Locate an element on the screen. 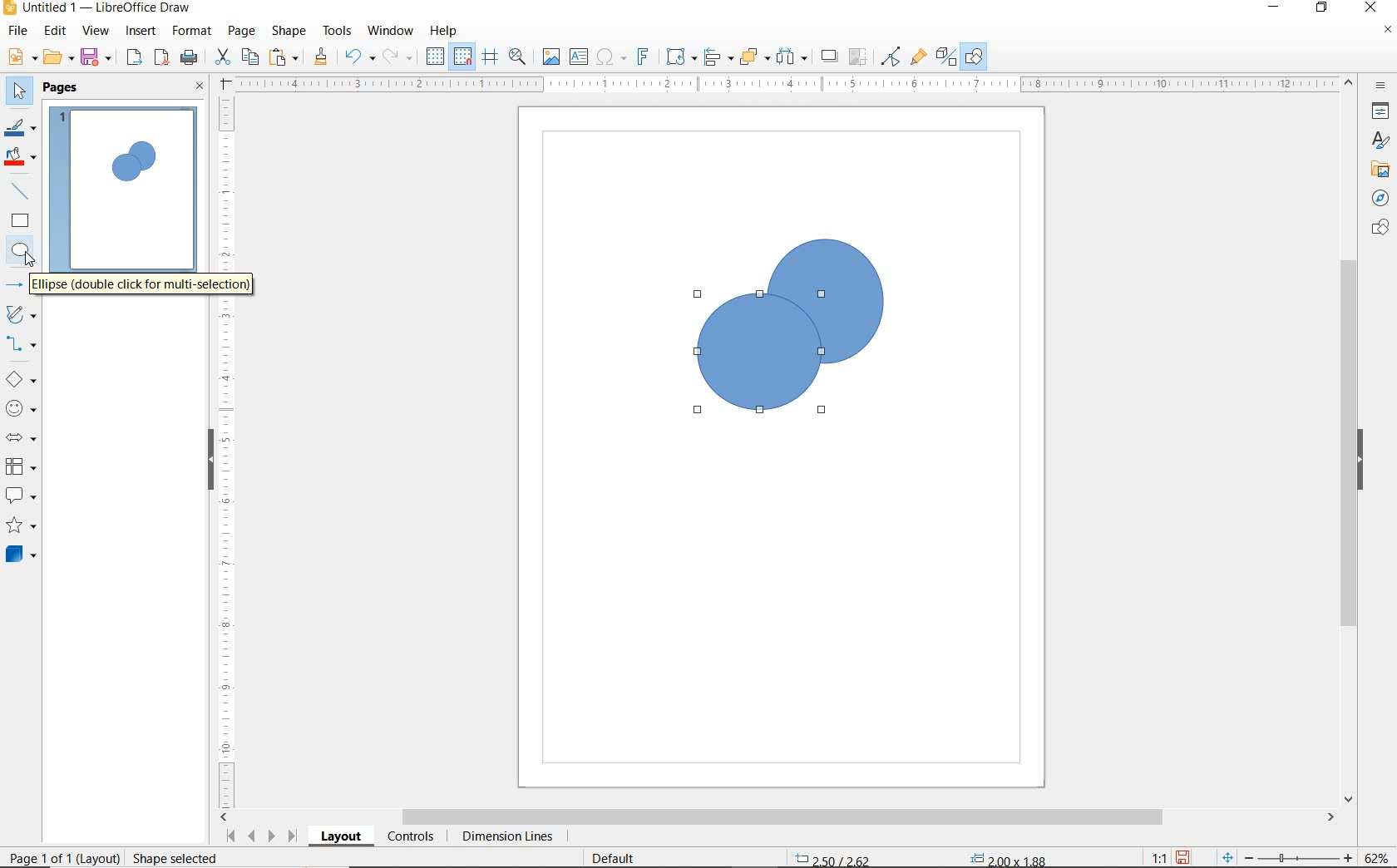 This screenshot has height=868, width=1397. BLOCK ARROWS is located at coordinates (20, 435).